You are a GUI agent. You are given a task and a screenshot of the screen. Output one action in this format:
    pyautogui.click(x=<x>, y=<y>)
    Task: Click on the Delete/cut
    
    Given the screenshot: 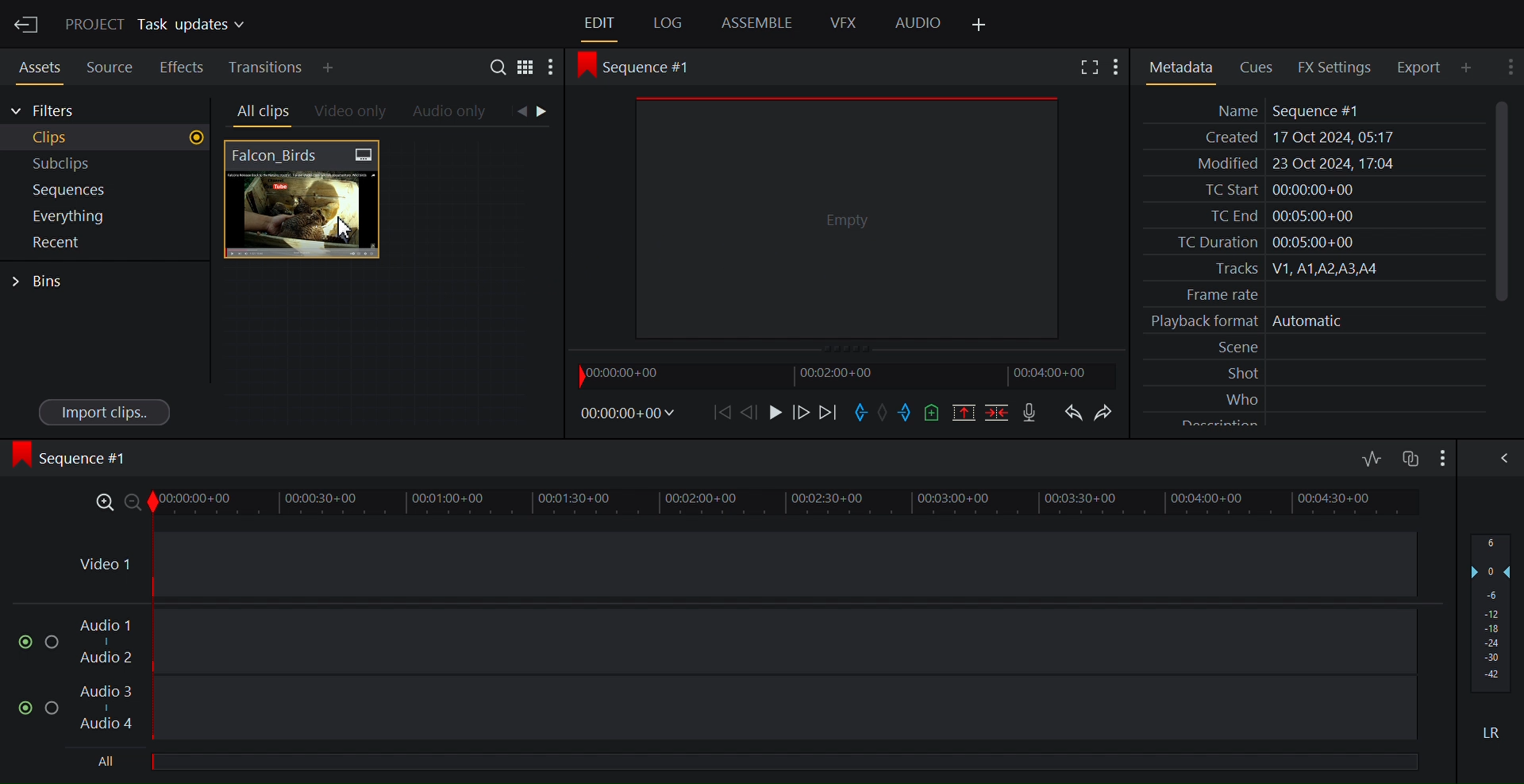 What is the action you would take?
    pyautogui.click(x=996, y=413)
    